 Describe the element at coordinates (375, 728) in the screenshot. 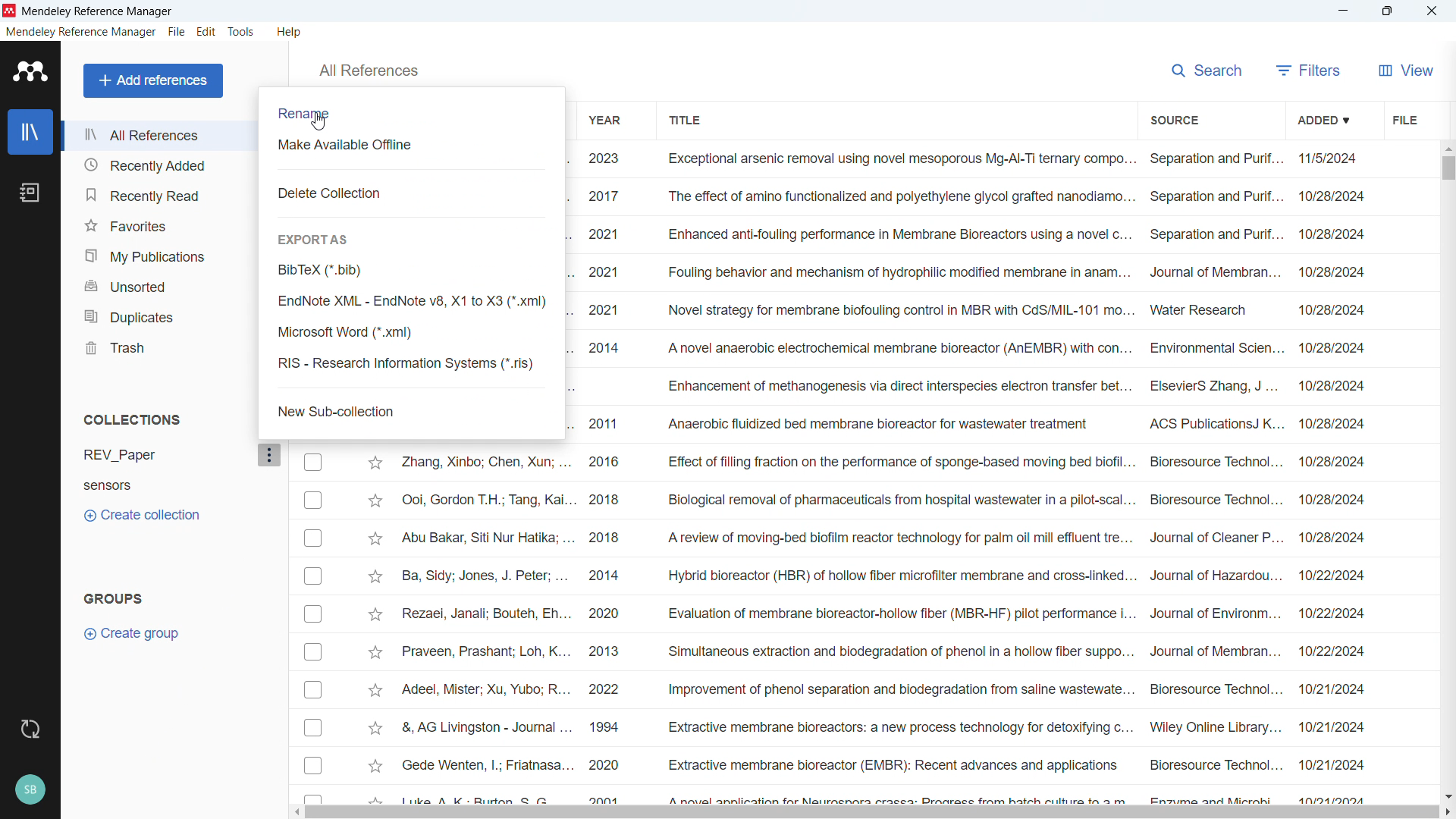

I see `Star mark respective publication` at that location.